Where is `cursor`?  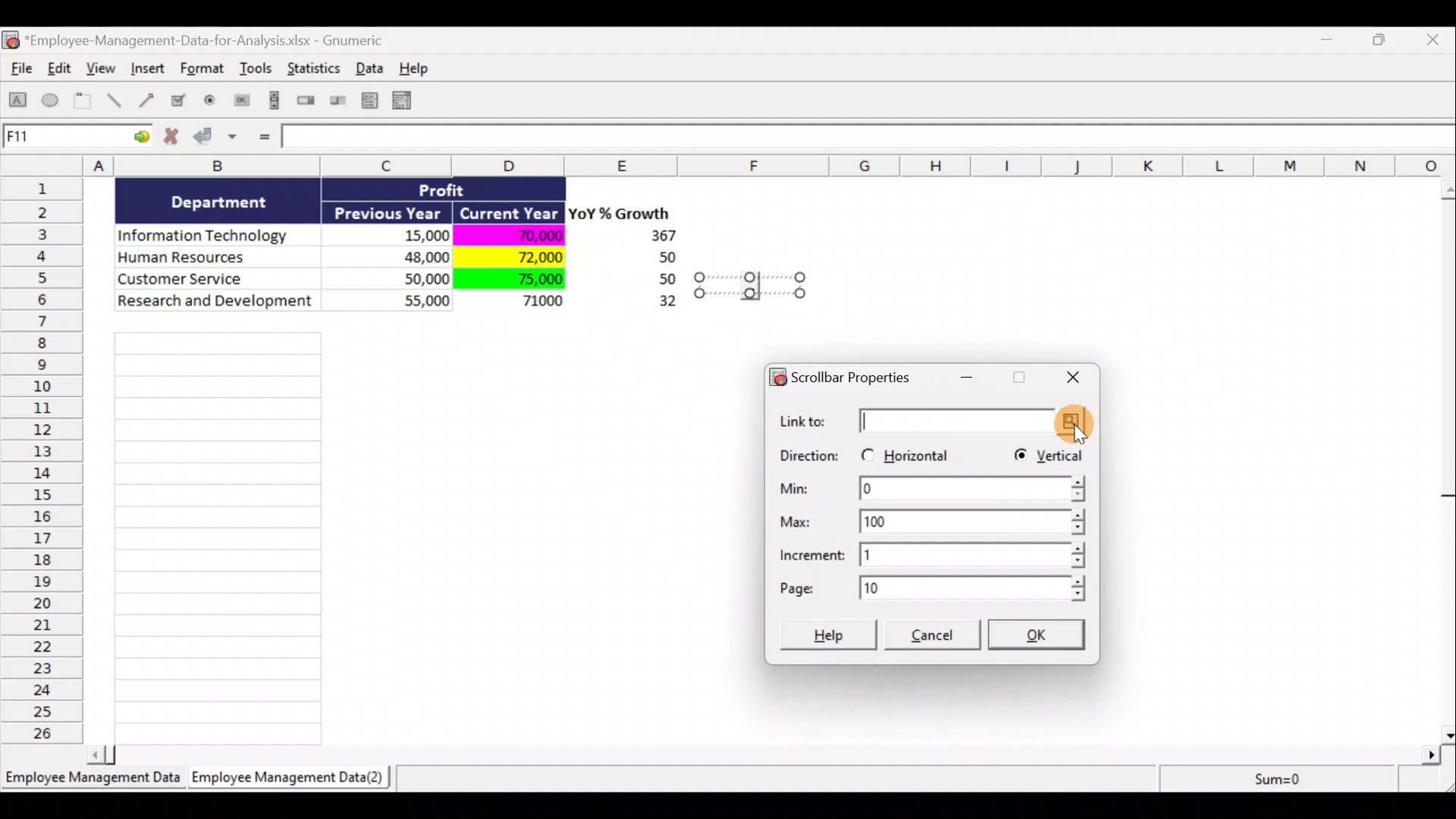 cursor is located at coordinates (1085, 439).